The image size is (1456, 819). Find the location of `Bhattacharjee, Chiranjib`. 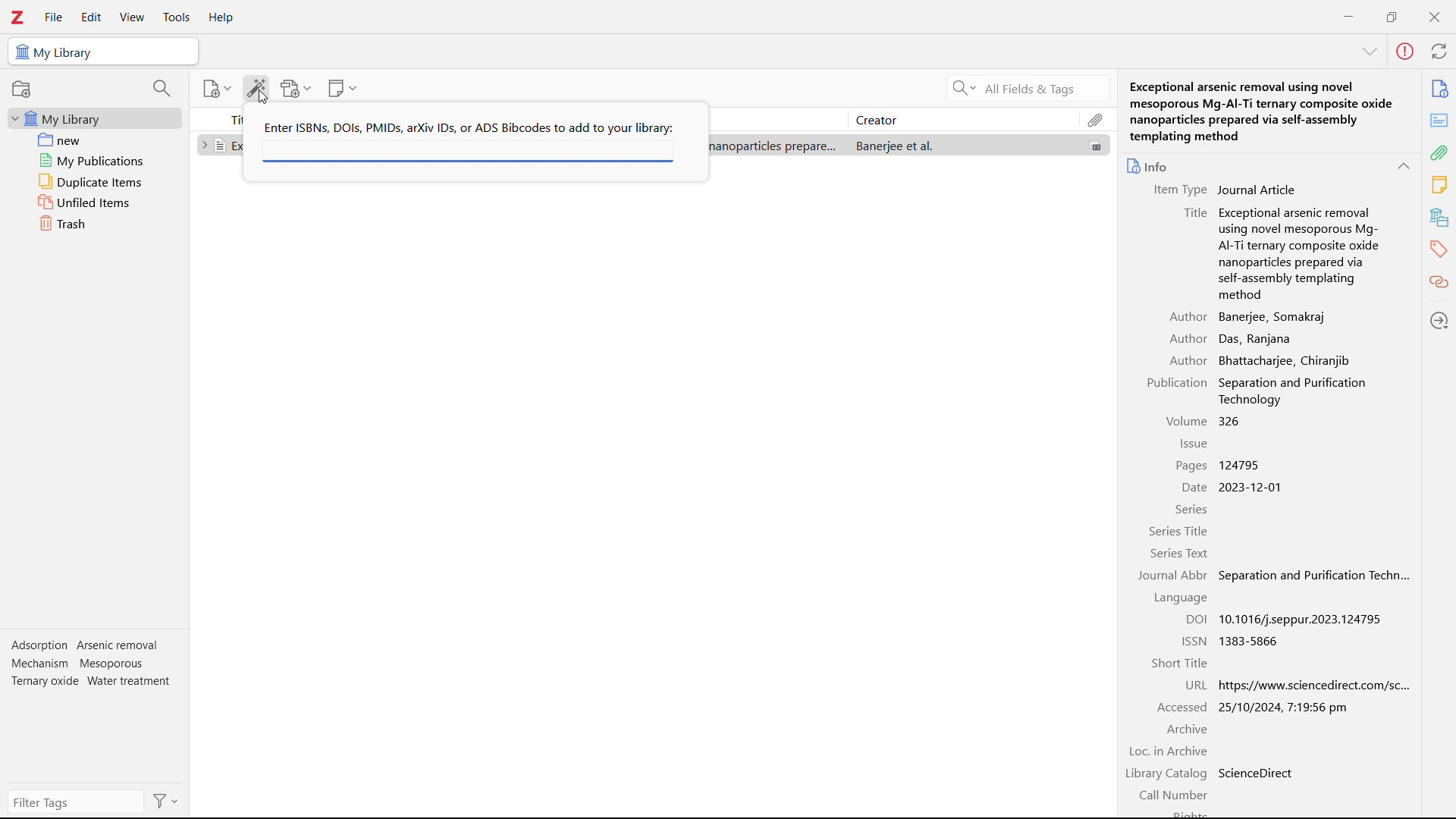

Bhattacharjee, Chiranjib is located at coordinates (1285, 360).